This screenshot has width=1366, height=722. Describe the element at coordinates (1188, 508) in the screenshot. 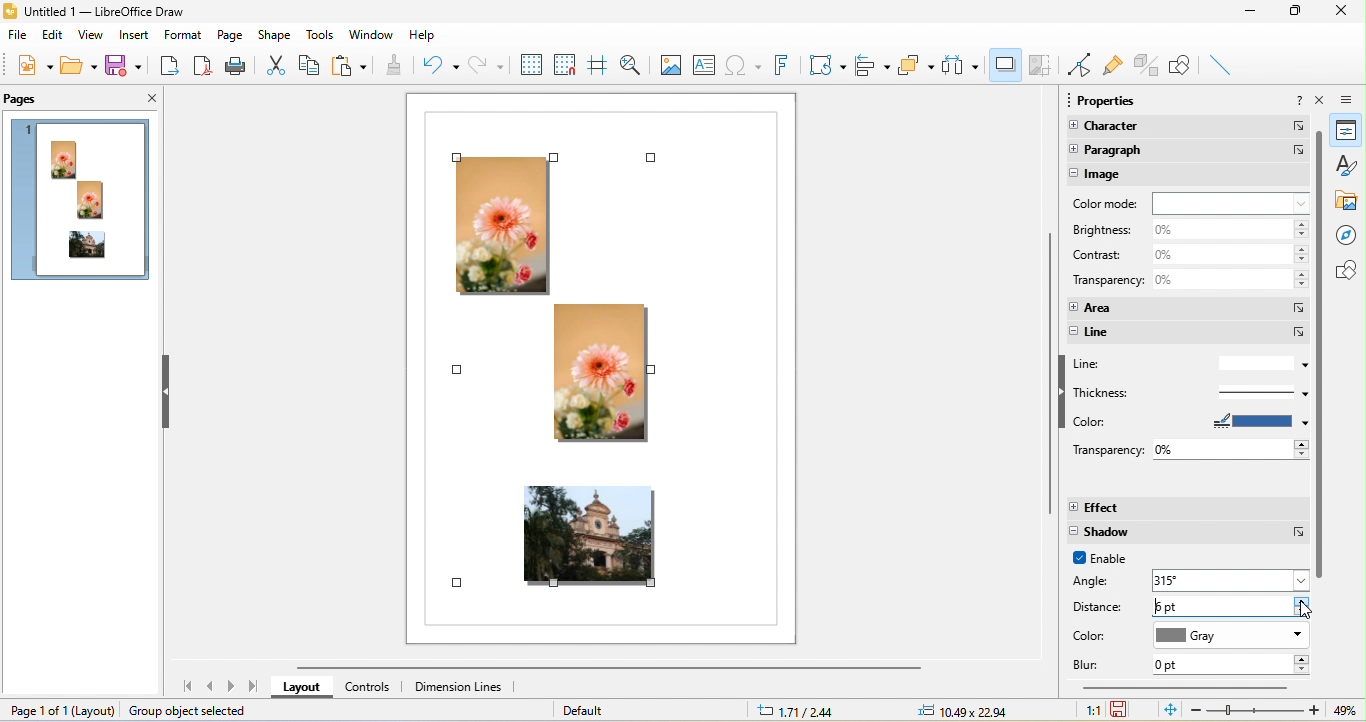

I see `effect` at that location.